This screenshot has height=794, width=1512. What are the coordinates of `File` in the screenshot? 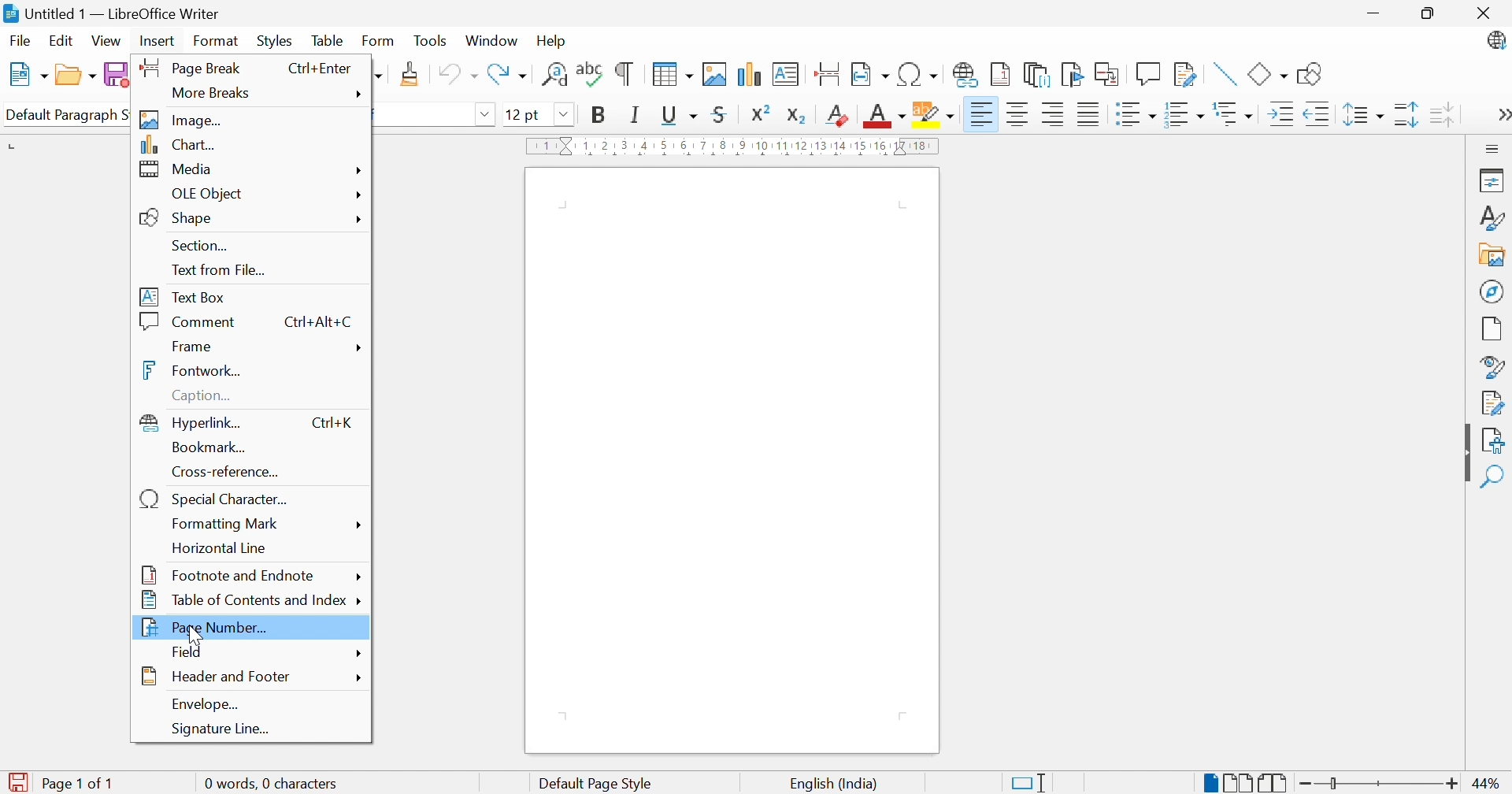 It's located at (18, 41).